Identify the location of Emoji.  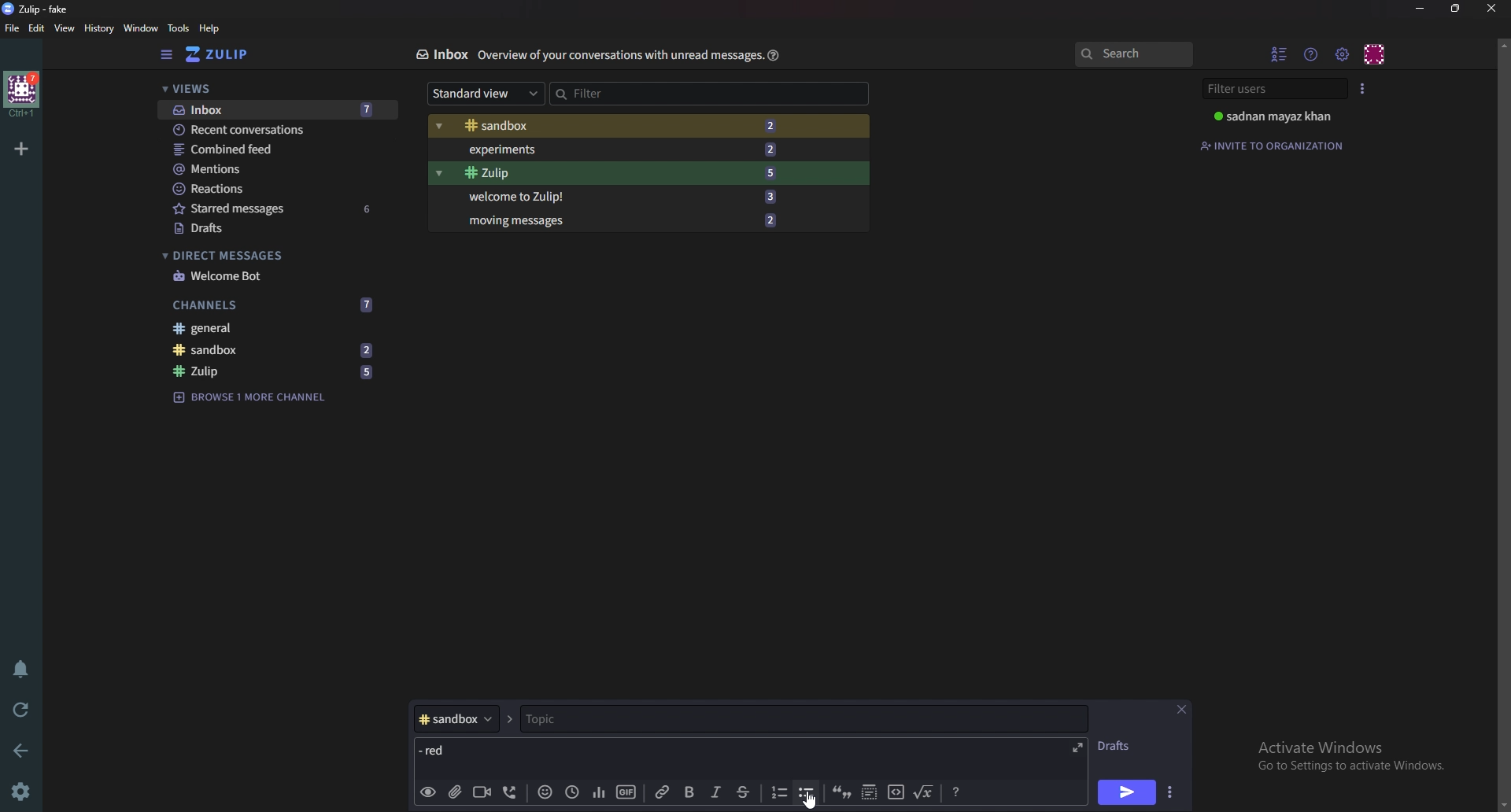
(545, 791).